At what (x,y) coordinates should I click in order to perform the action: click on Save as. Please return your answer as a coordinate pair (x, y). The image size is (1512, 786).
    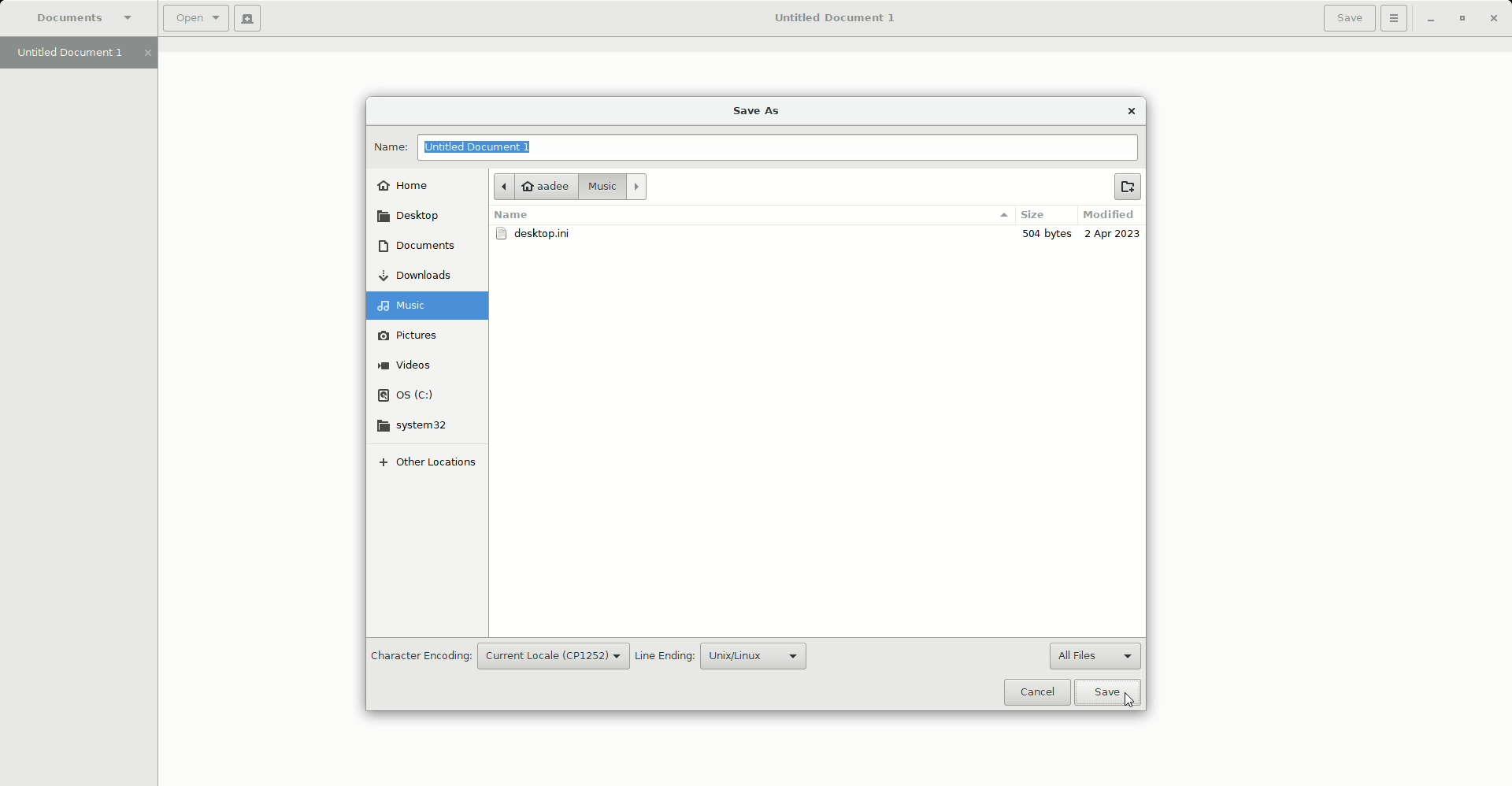
    Looking at the image, I should click on (762, 109).